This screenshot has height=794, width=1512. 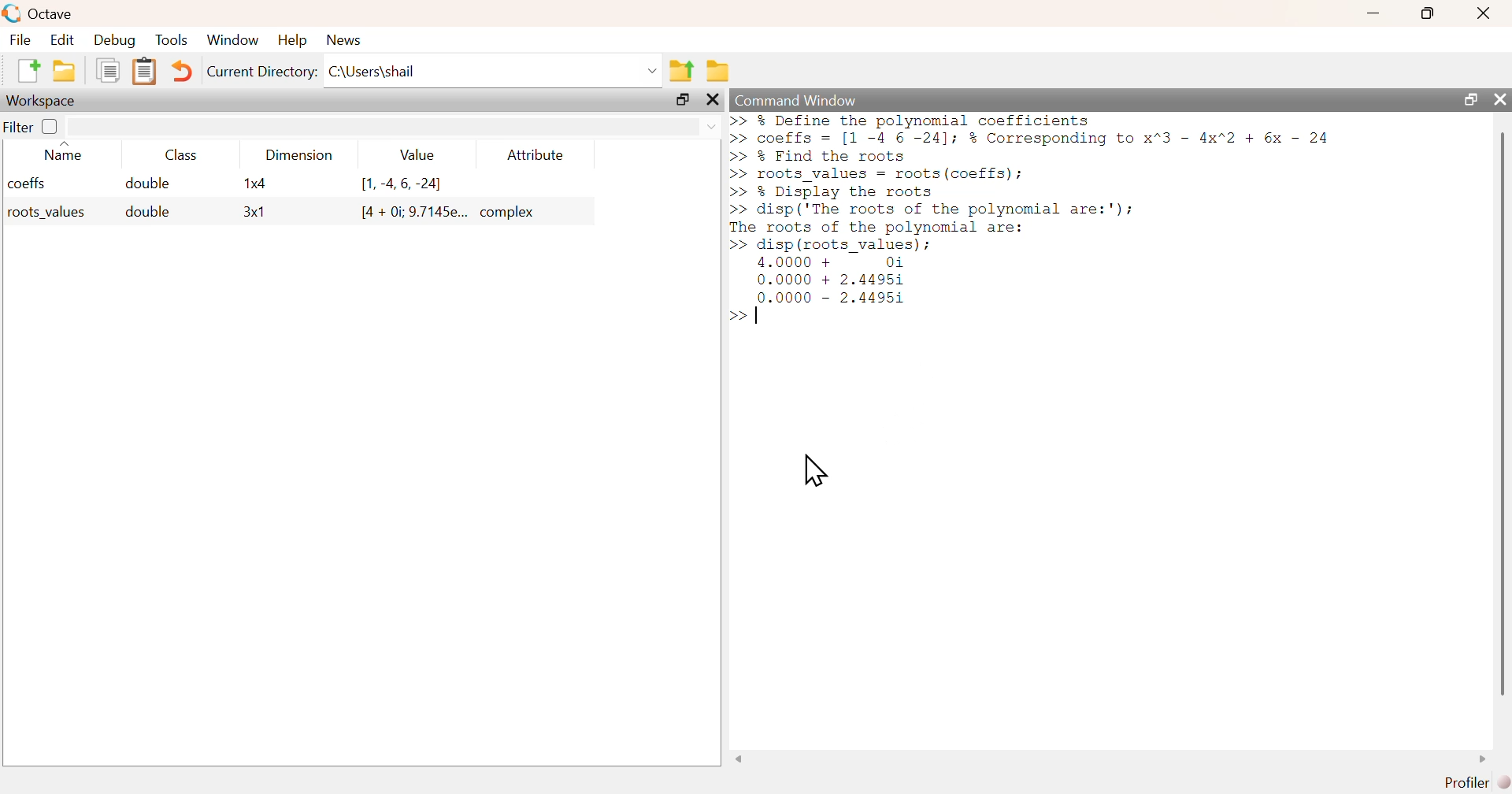 What do you see at coordinates (28, 184) in the screenshot?
I see `coeffs` at bounding box center [28, 184].